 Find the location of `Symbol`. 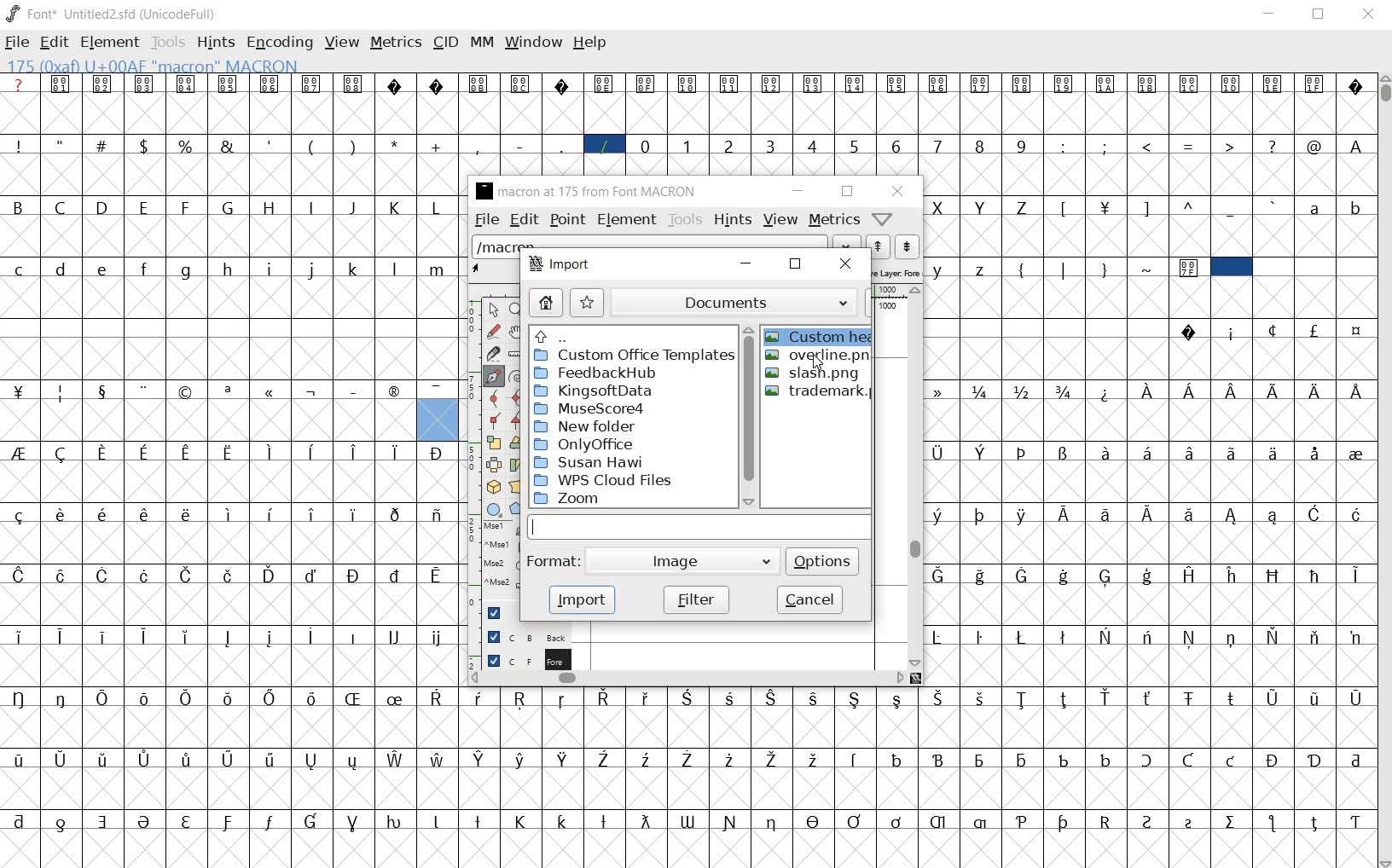

Symbol is located at coordinates (1187, 574).